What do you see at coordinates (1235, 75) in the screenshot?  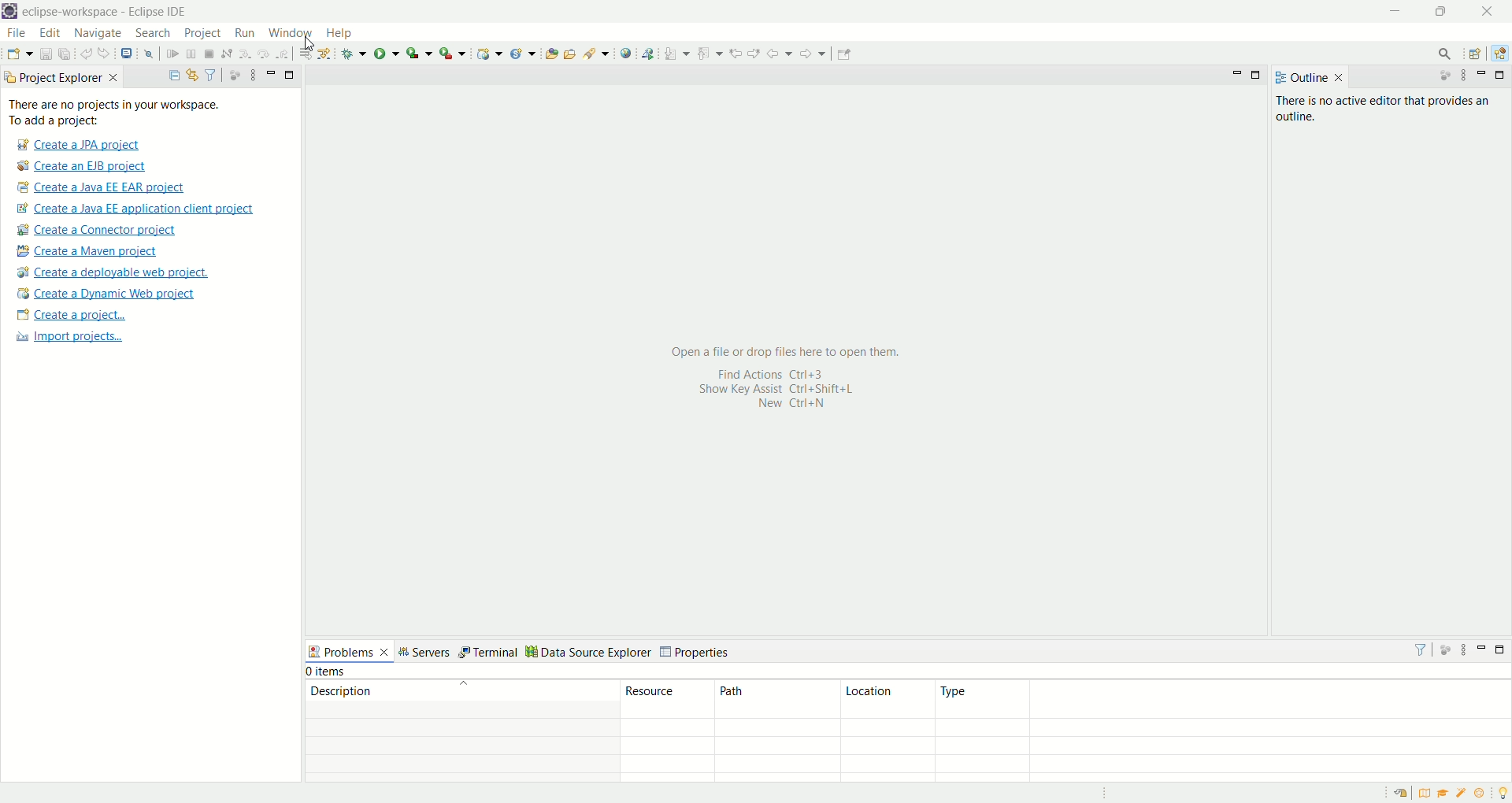 I see `minimize` at bounding box center [1235, 75].